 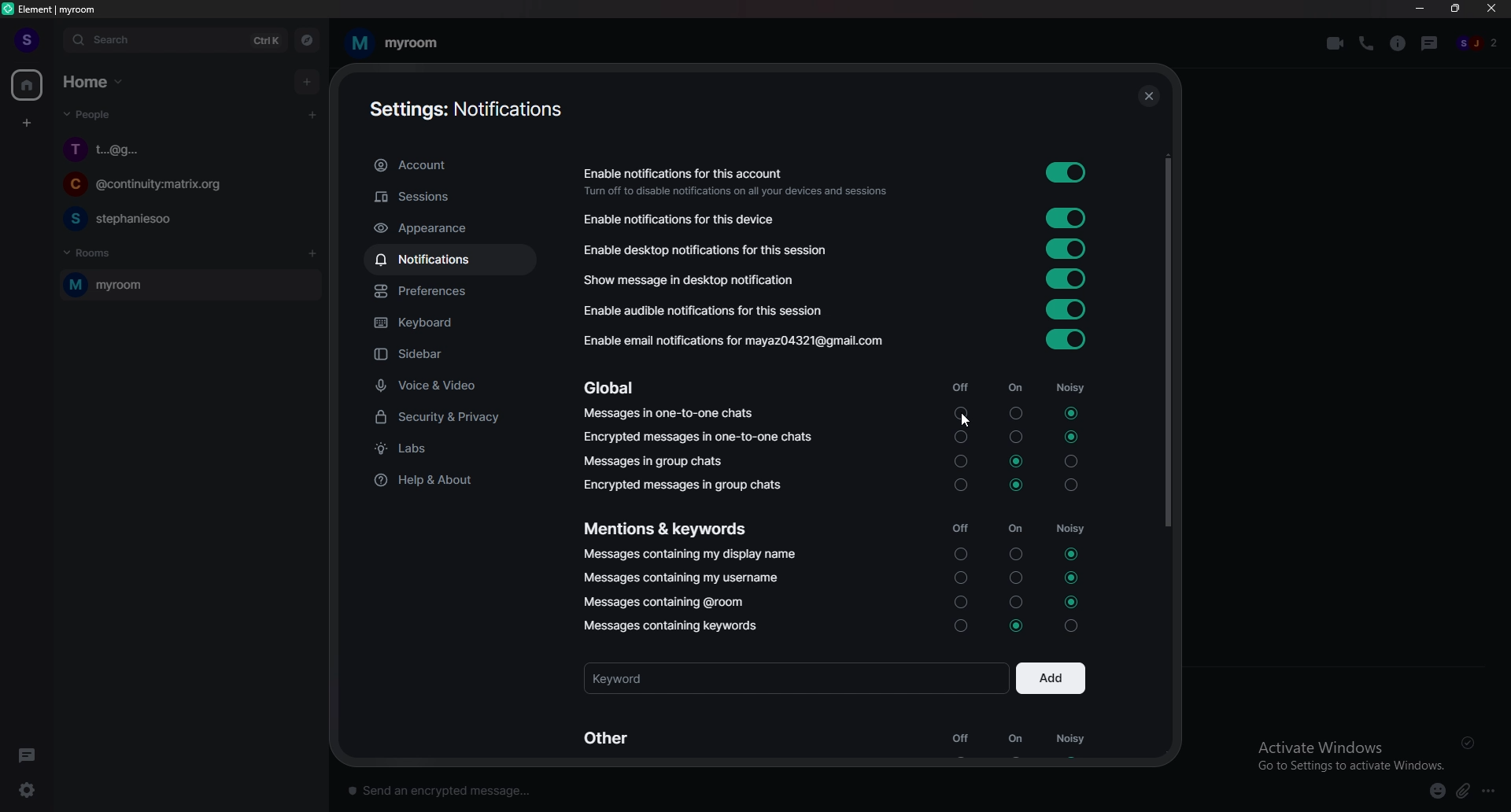 What do you see at coordinates (447, 448) in the screenshot?
I see `labs` at bounding box center [447, 448].